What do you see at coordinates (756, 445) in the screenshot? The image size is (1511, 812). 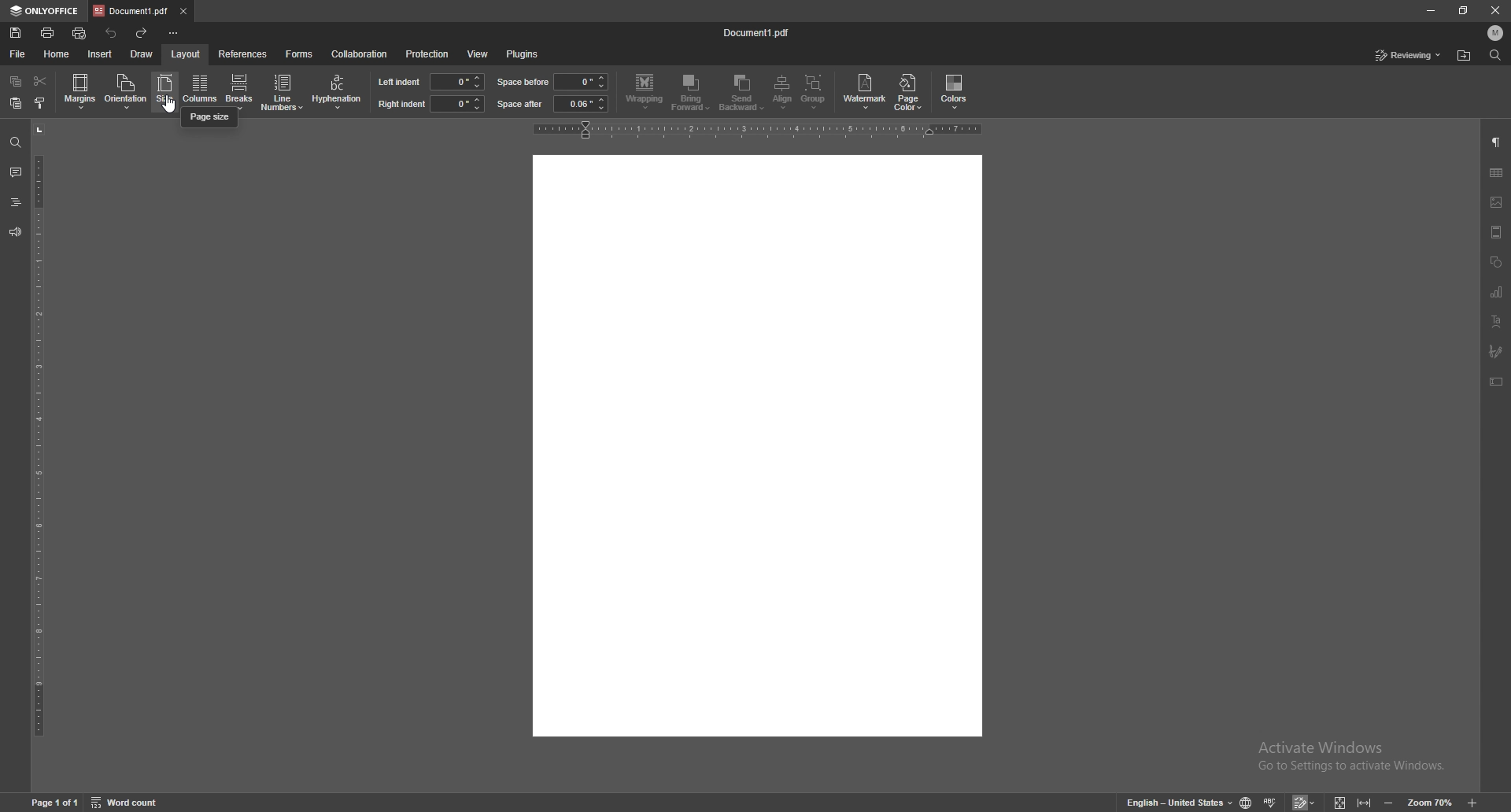 I see `document` at bounding box center [756, 445].